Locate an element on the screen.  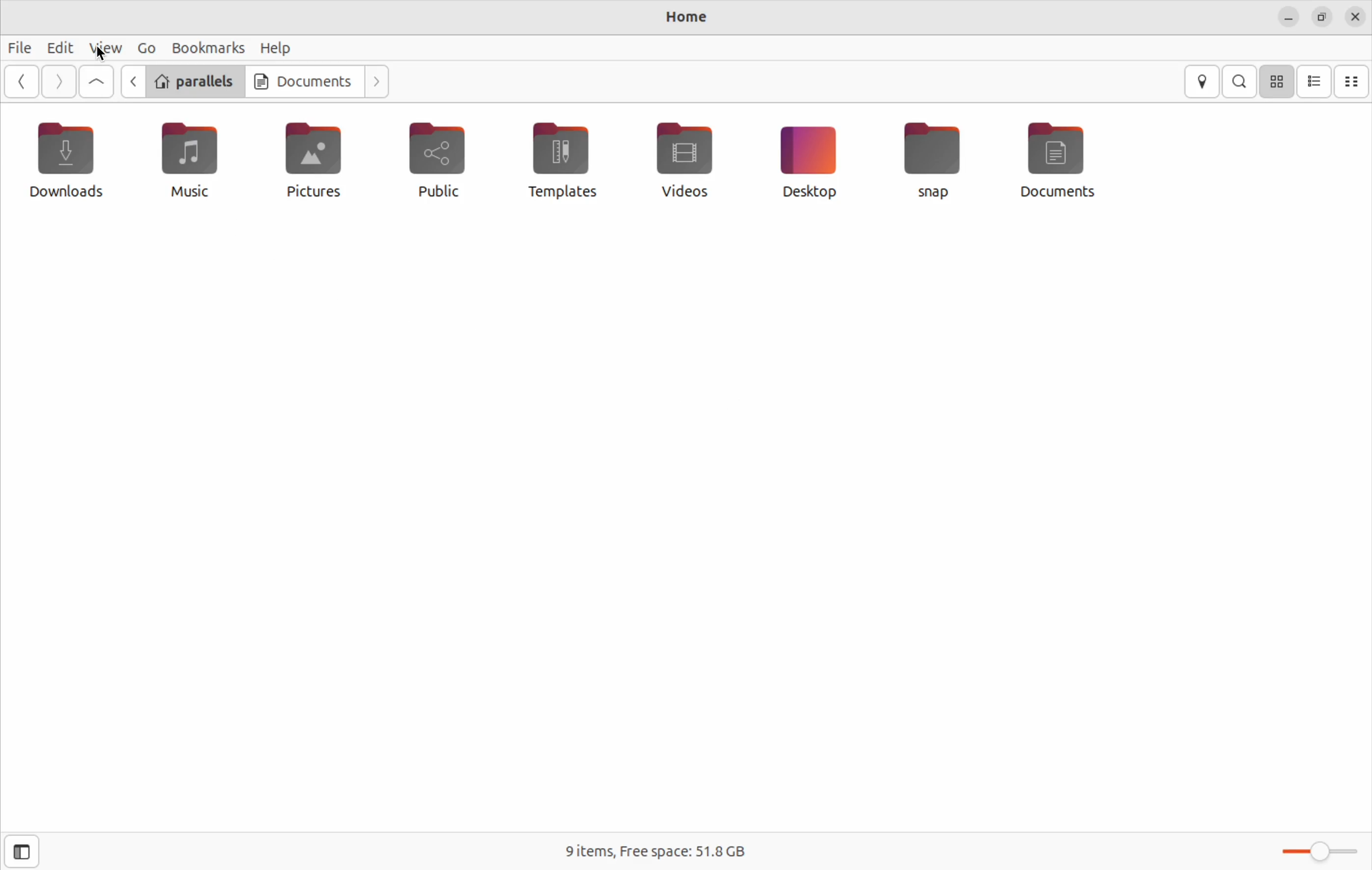
search is located at coordinates (1242, 81).